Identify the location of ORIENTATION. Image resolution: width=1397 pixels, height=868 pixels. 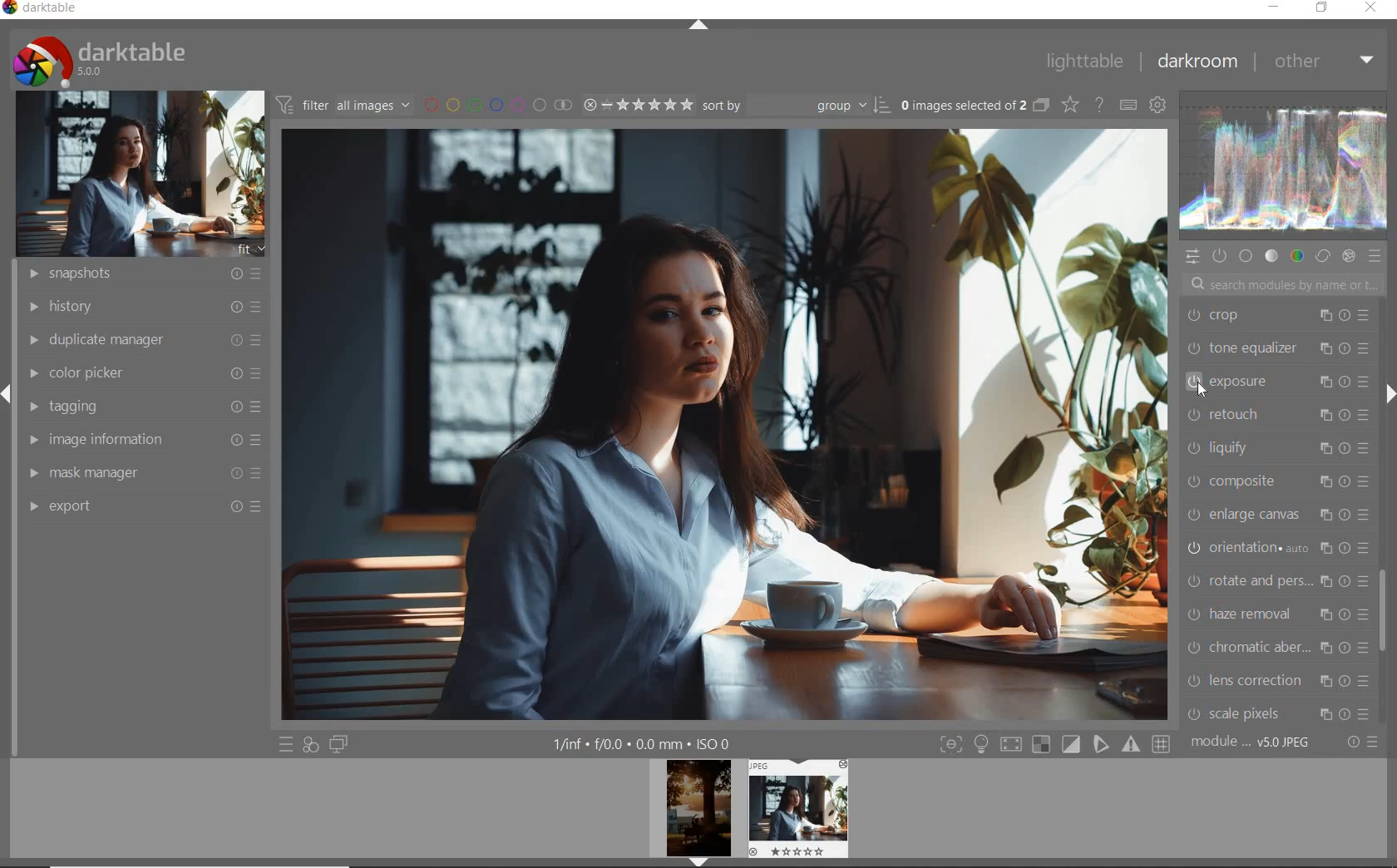
(1281, 547).